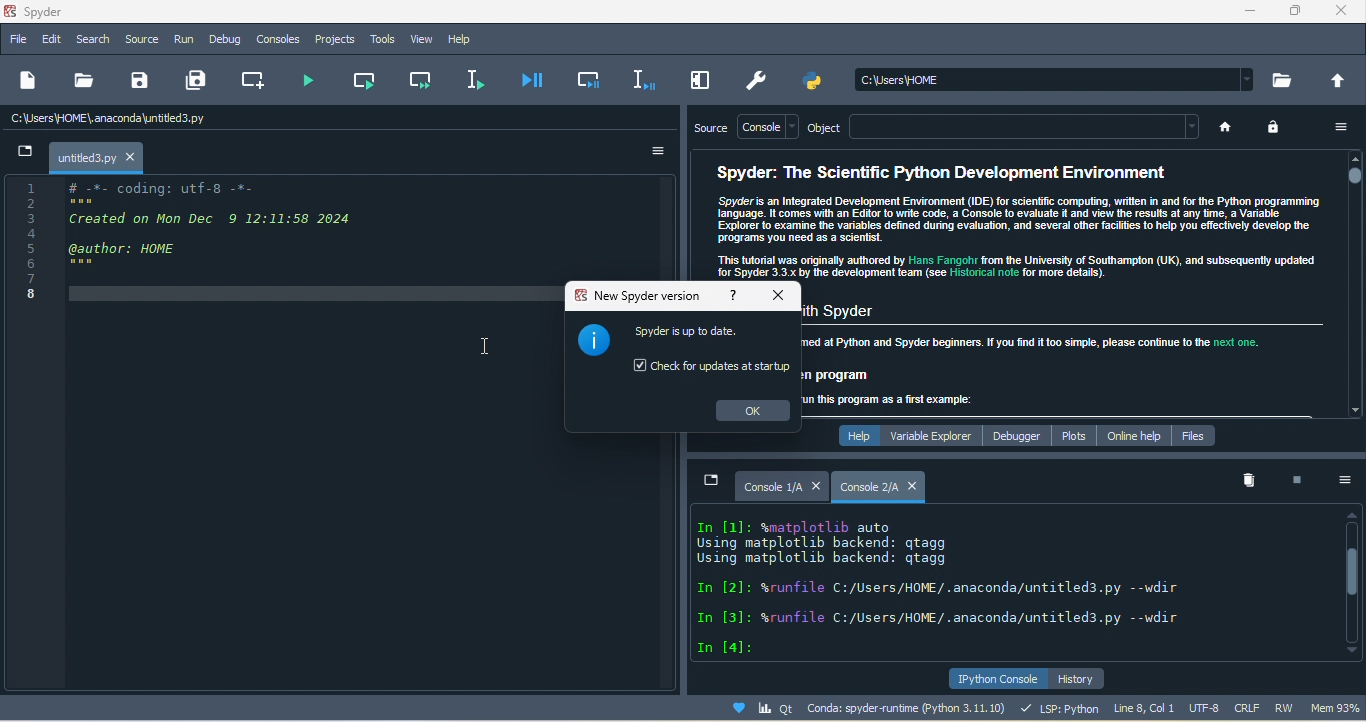 Image resolution: width=1366 pixels, height=722 pixels. I want to click on debug, so click(222, 40).